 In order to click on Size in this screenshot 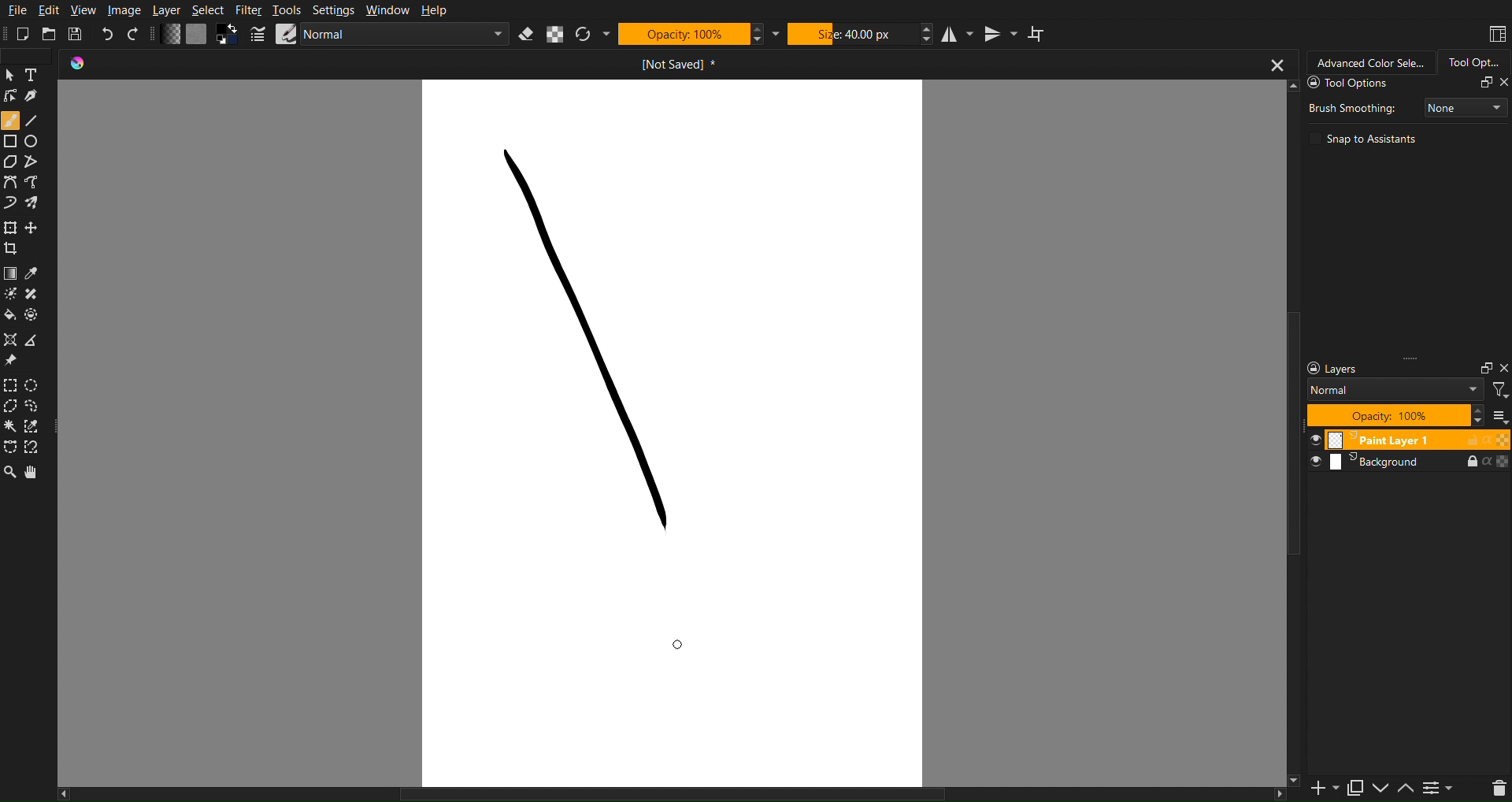, I will do `click(853, 34)`.